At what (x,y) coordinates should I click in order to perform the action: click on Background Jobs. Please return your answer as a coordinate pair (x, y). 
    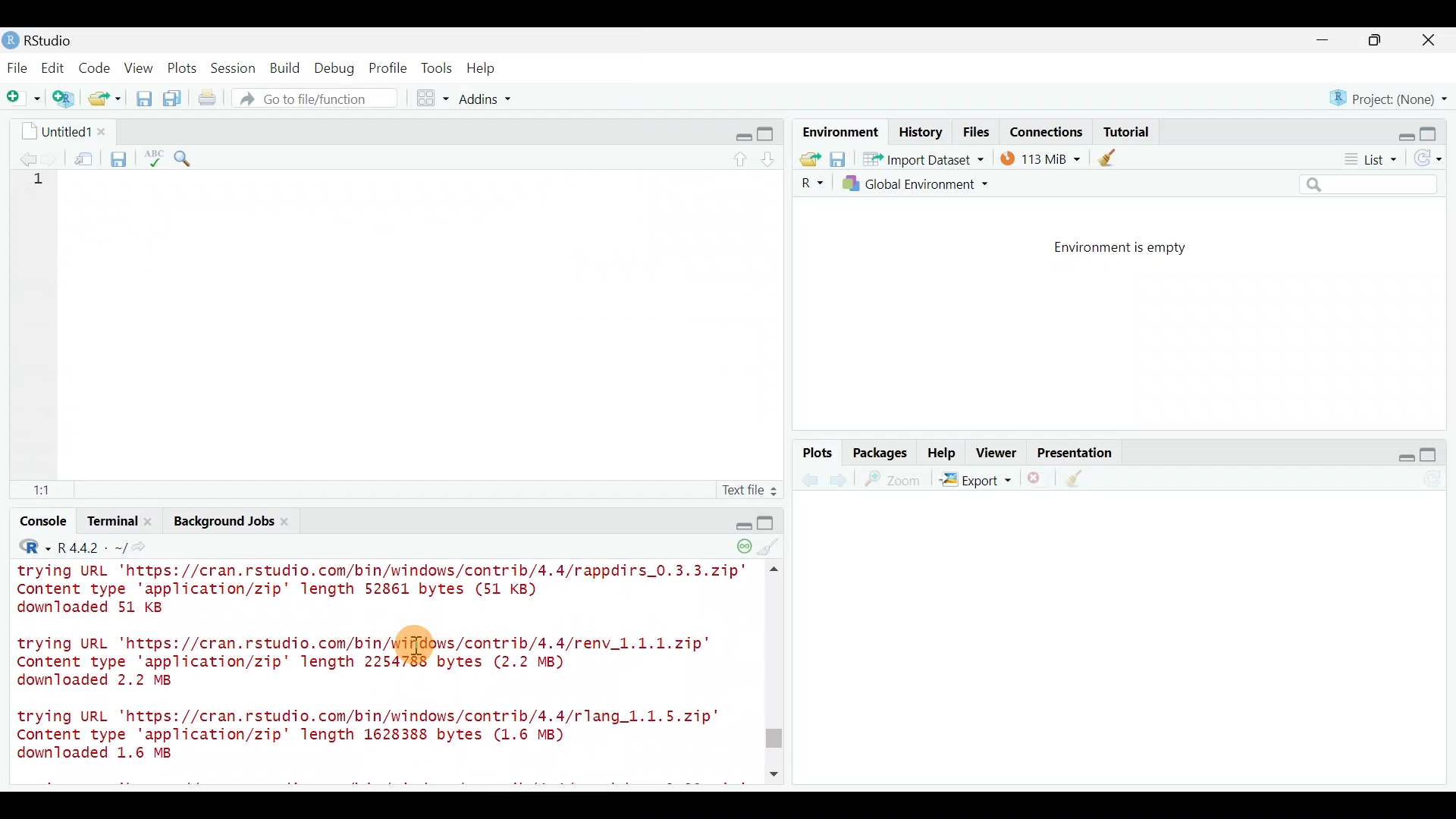
    Looking at the image, I should click on (224, 523).